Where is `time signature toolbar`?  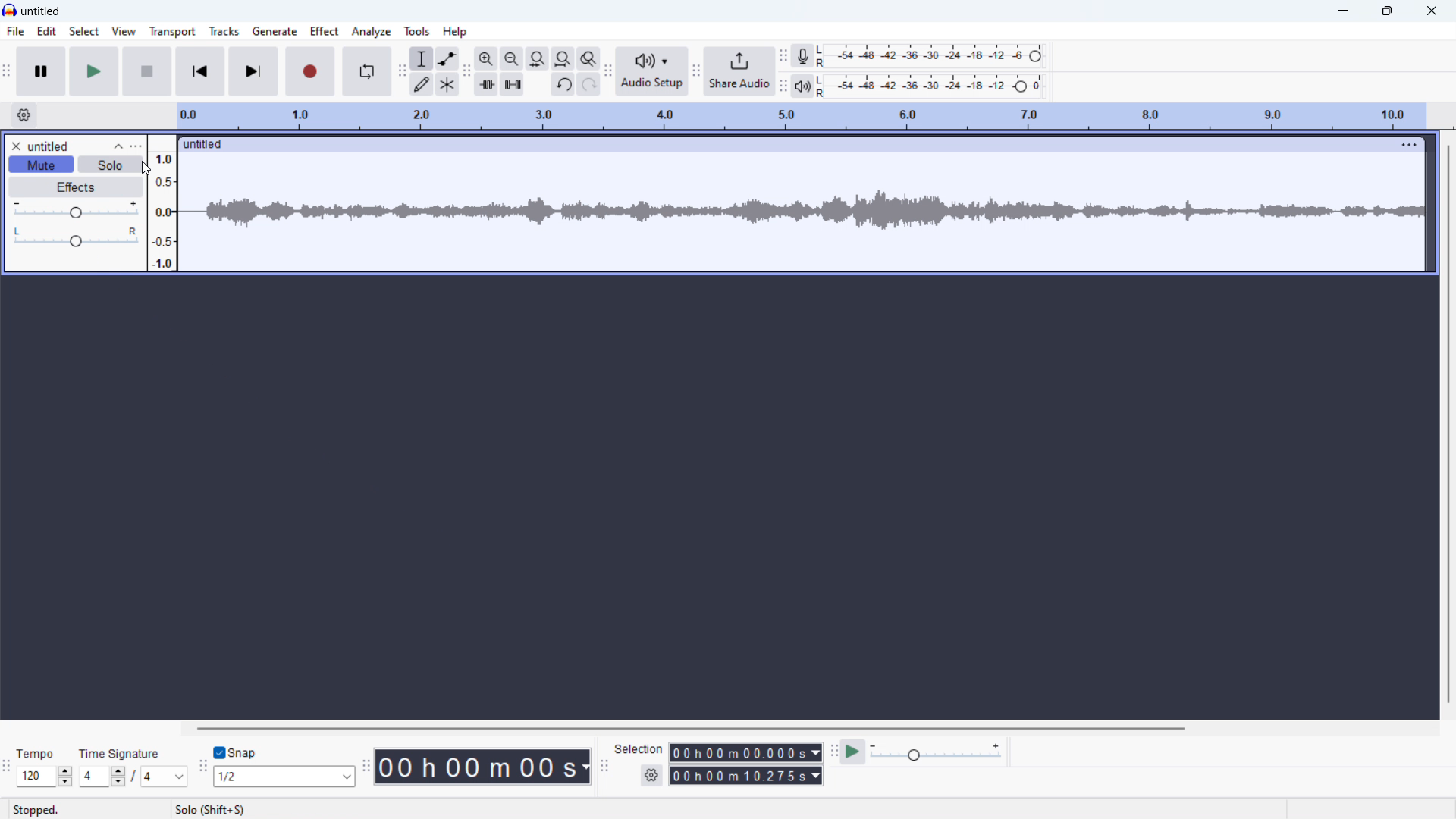
time signature toolbar is located at coordinates (7, 767).